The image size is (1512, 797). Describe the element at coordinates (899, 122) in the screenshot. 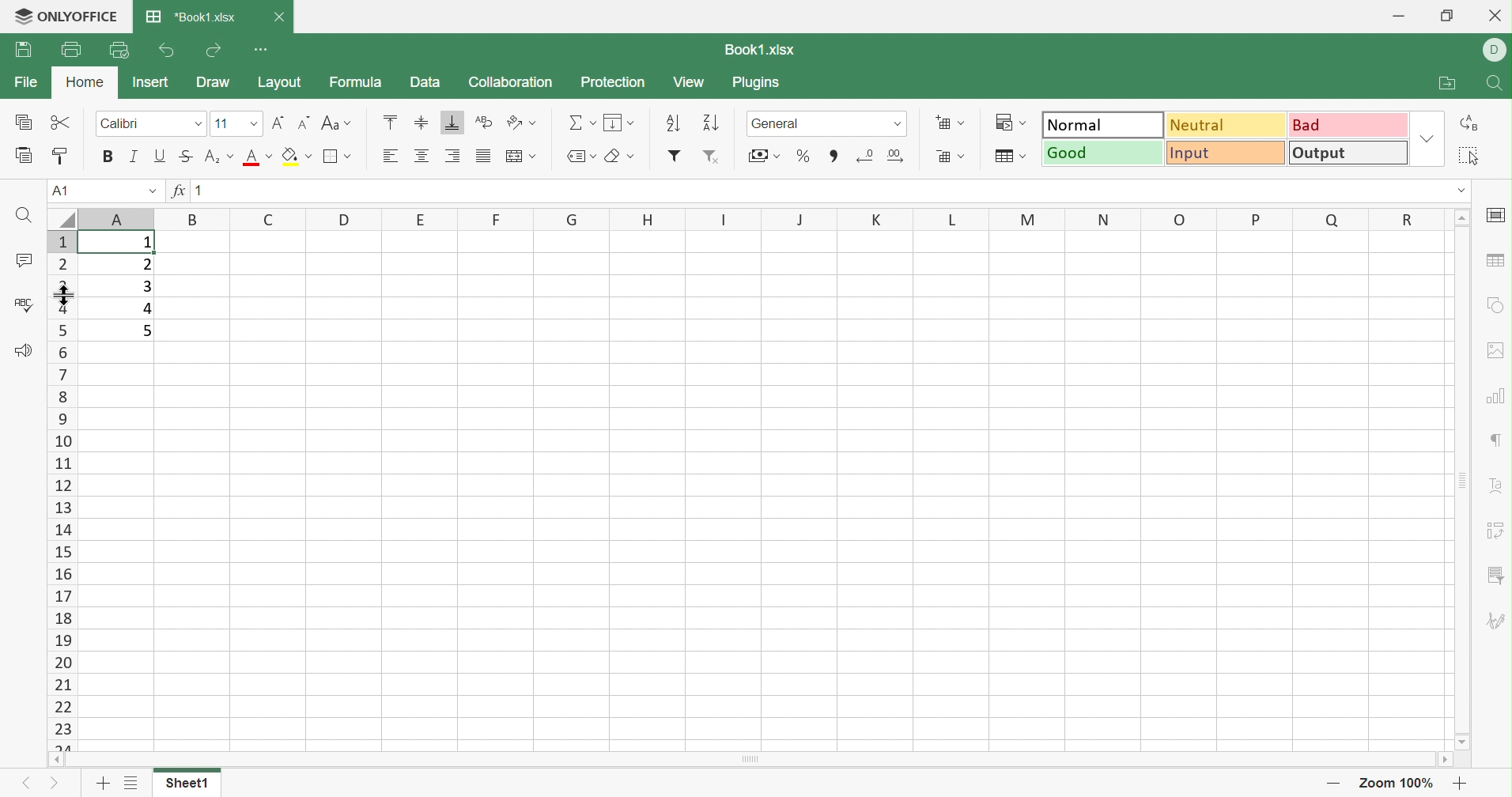

I see `Drop Down` at that location.